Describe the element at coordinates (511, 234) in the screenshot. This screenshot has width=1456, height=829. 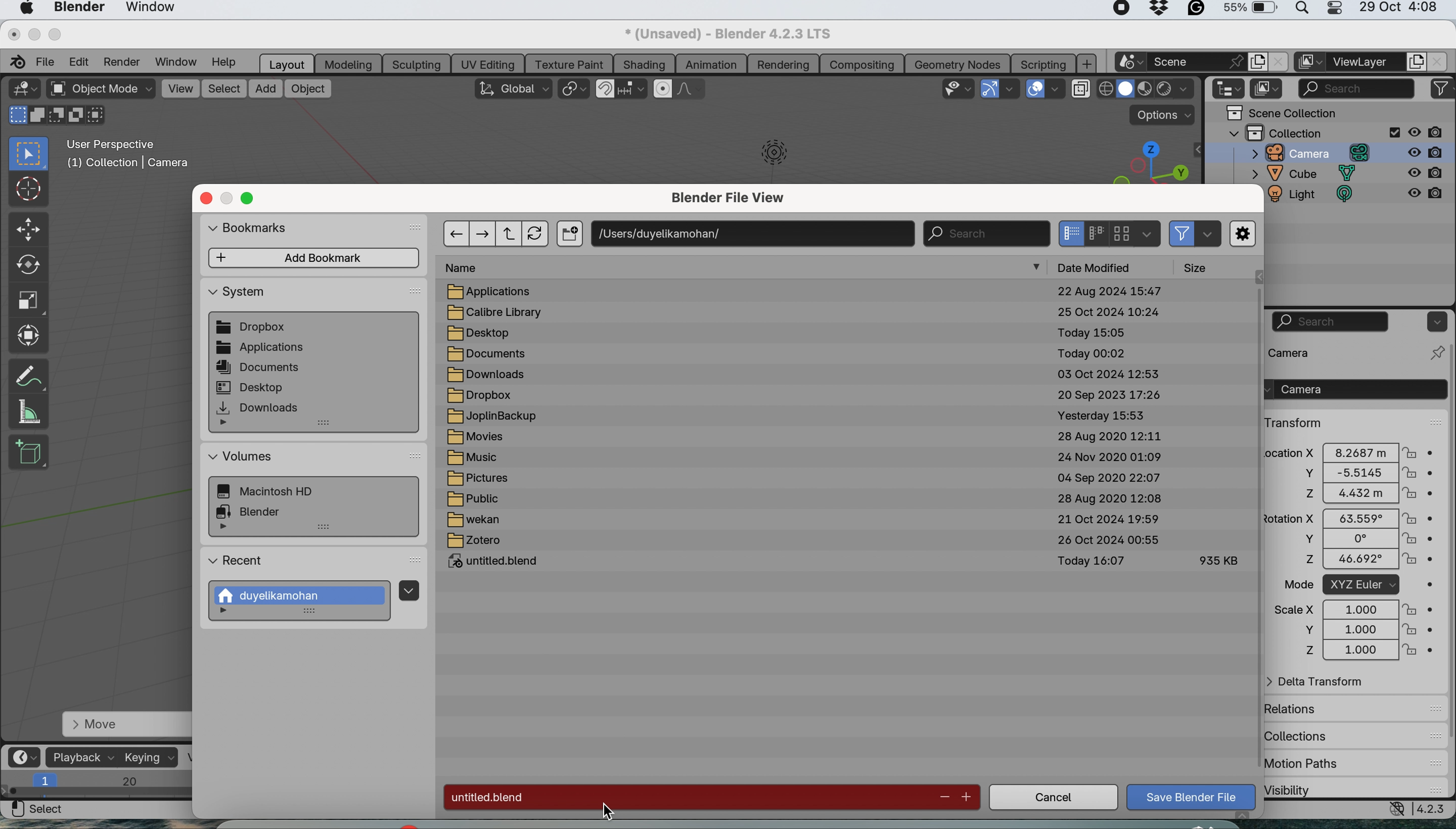
I see `parent directory` at that location.